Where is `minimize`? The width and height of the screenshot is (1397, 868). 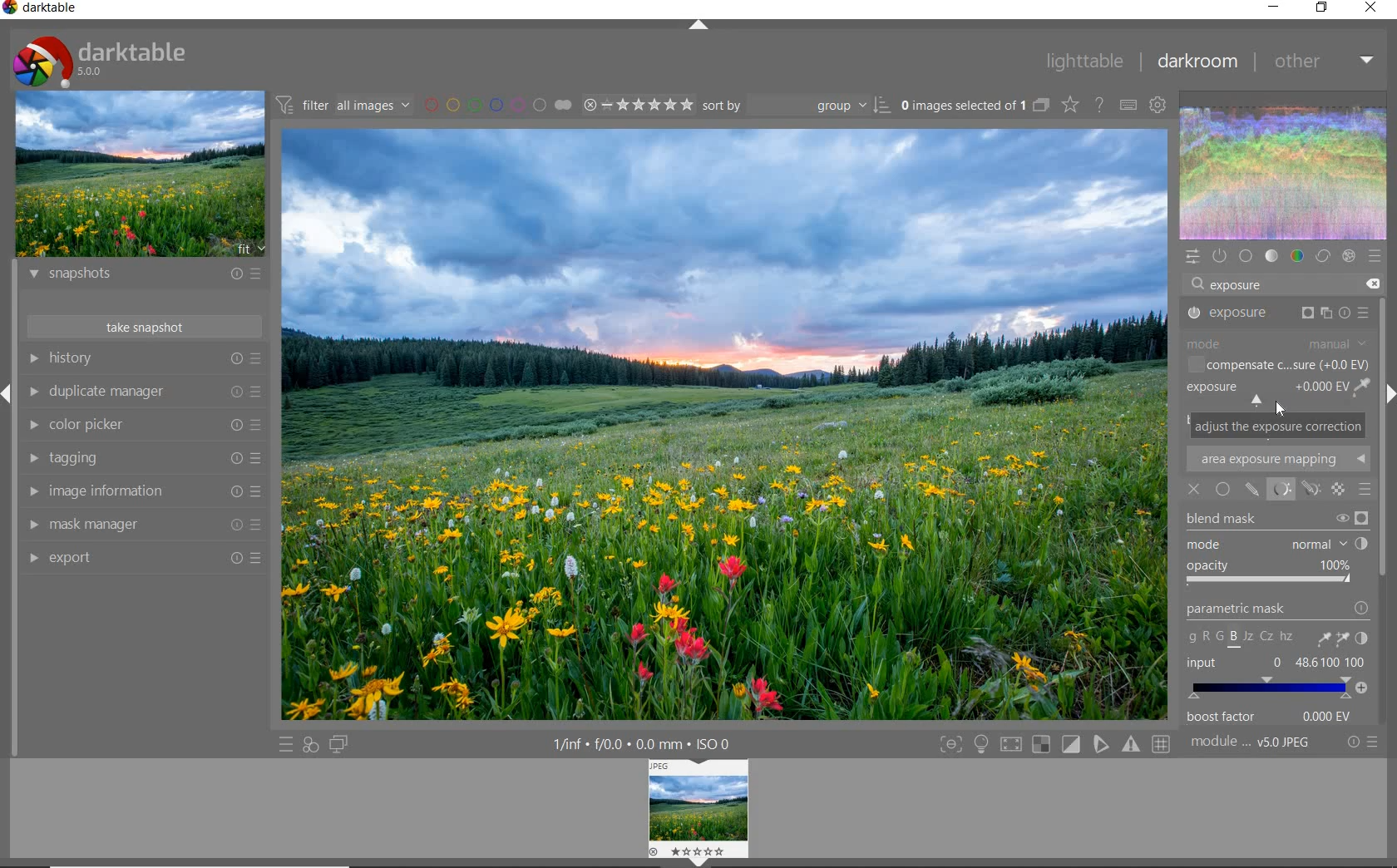 minimize is located at coordinates (1273, 7).